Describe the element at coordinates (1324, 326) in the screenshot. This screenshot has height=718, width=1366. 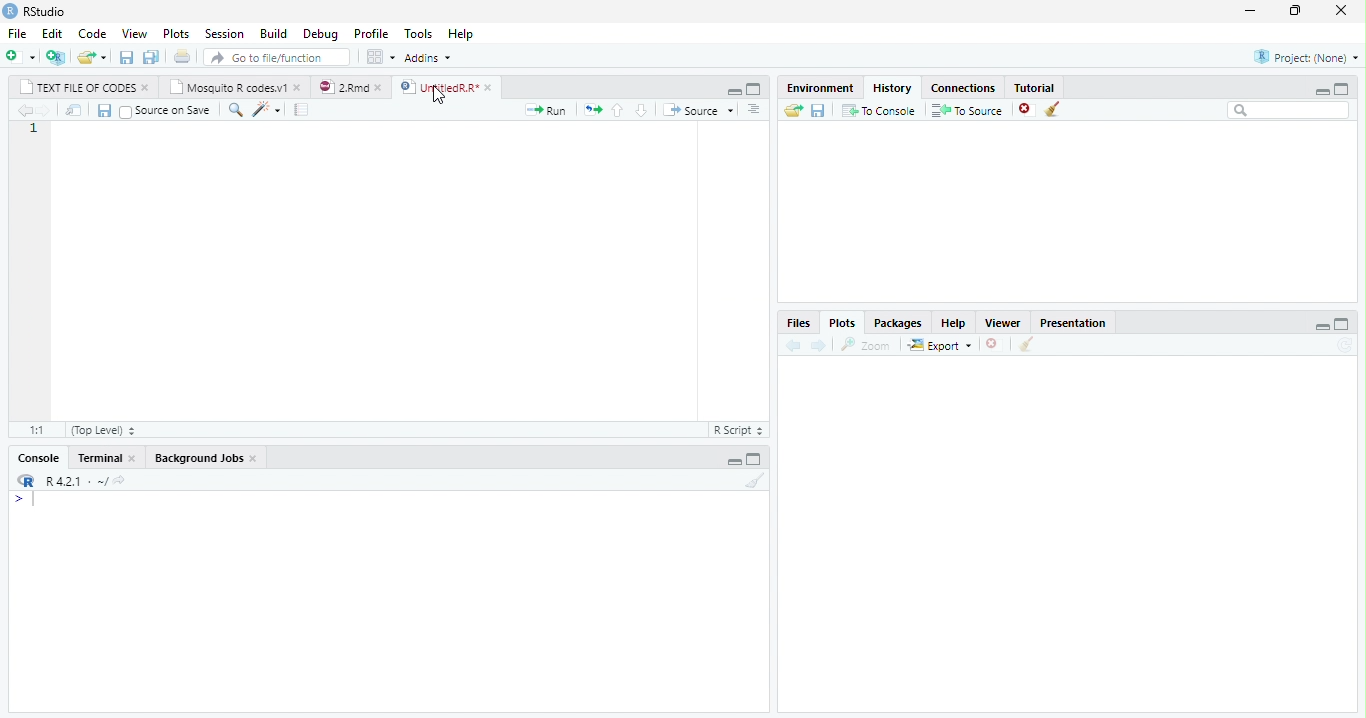
I see `minimize` at that location.